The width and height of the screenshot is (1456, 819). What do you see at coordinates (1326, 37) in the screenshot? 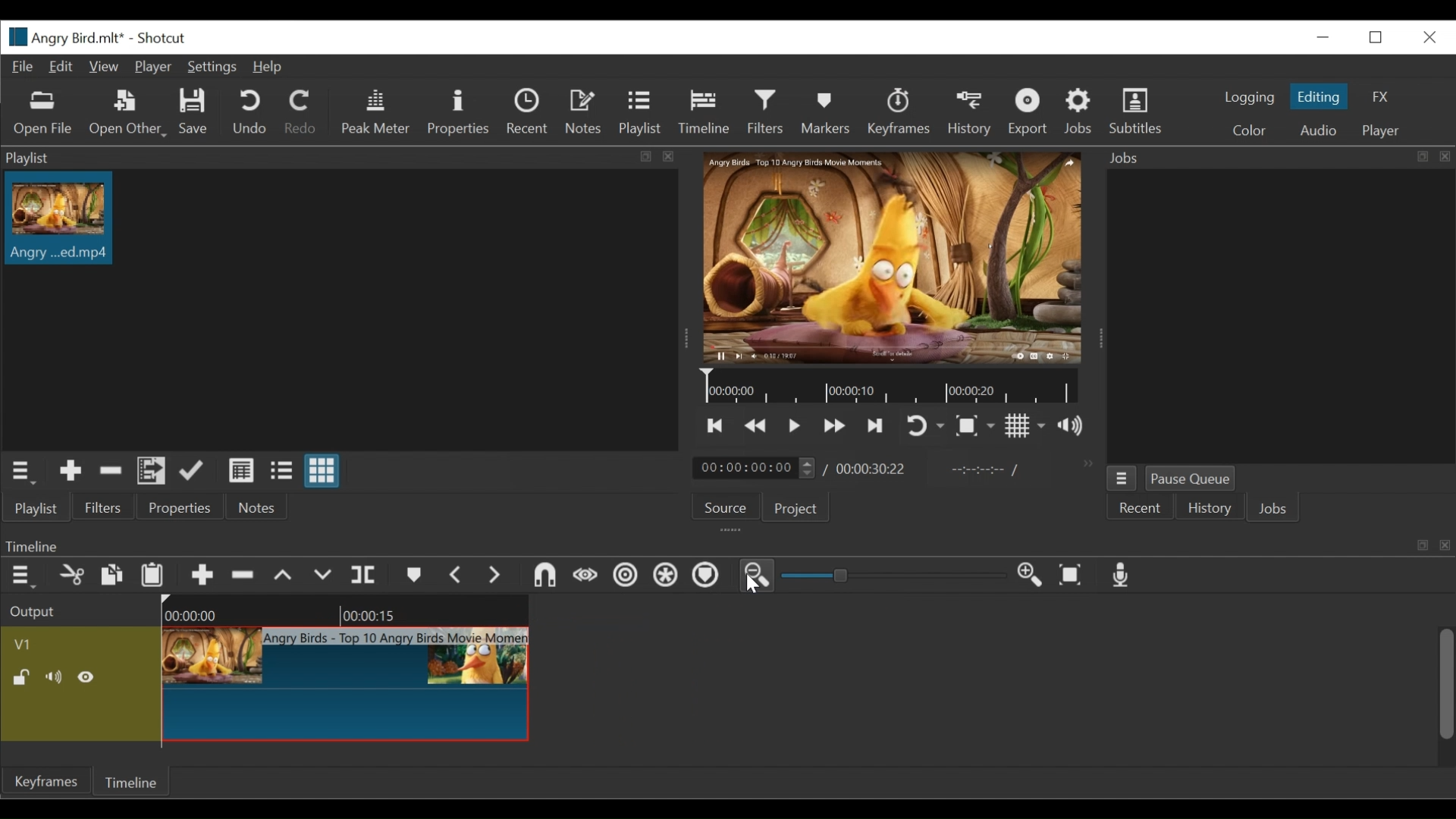
I see `Minimize` at bounding box center [1326, 37].